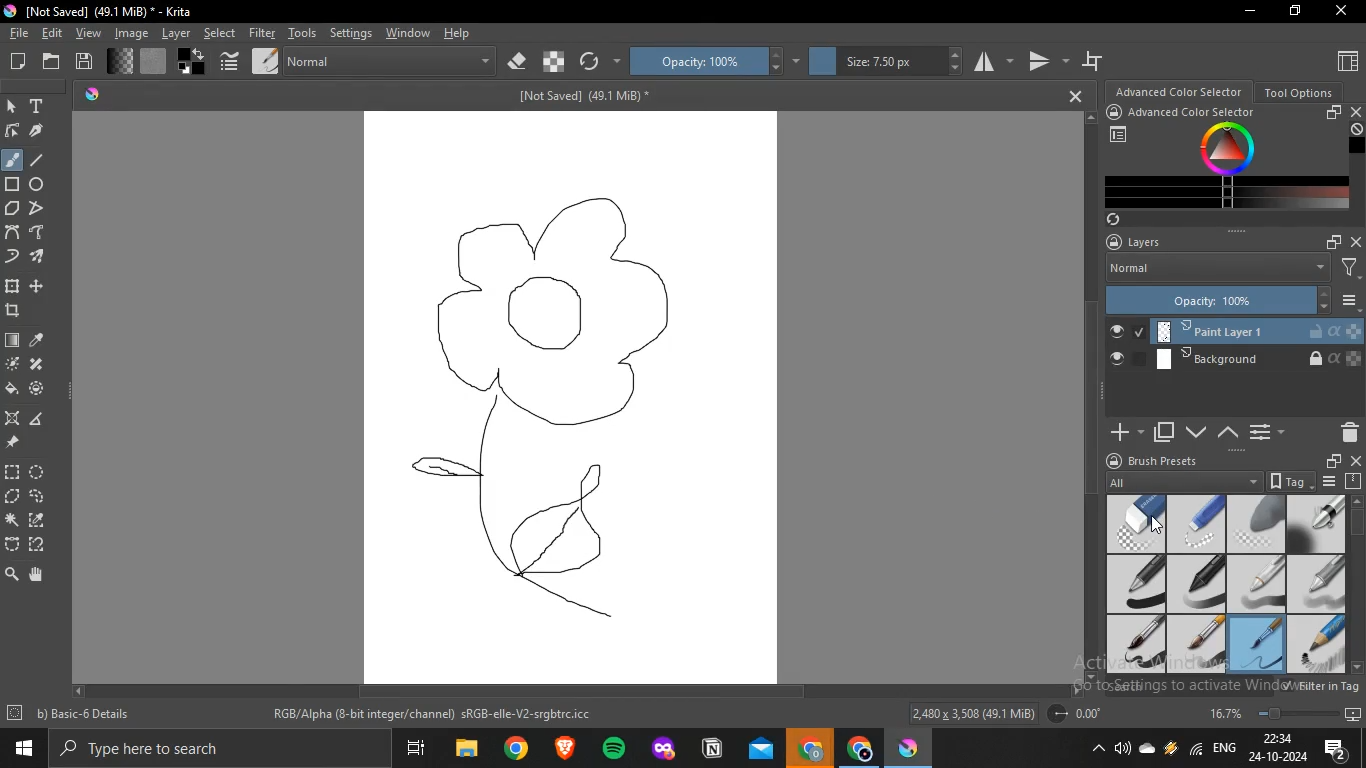  Describe the element at coordinates (12, 471) in the screenshot. I see `rectange selection tool` at that location.